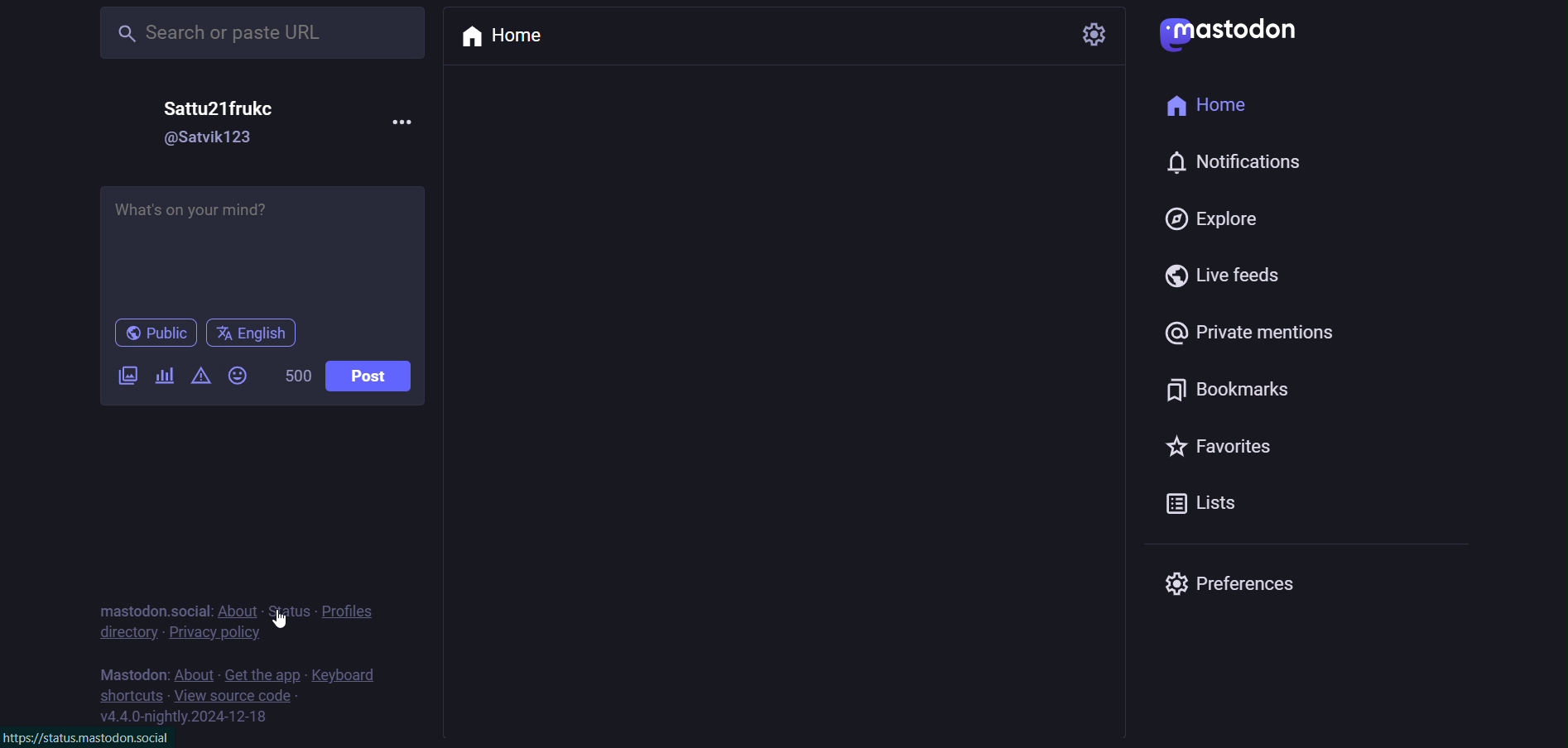  What do you see at coordinates (343, 675) in the screenshot?
I see `keyboard` at bounding box center [343, 675].